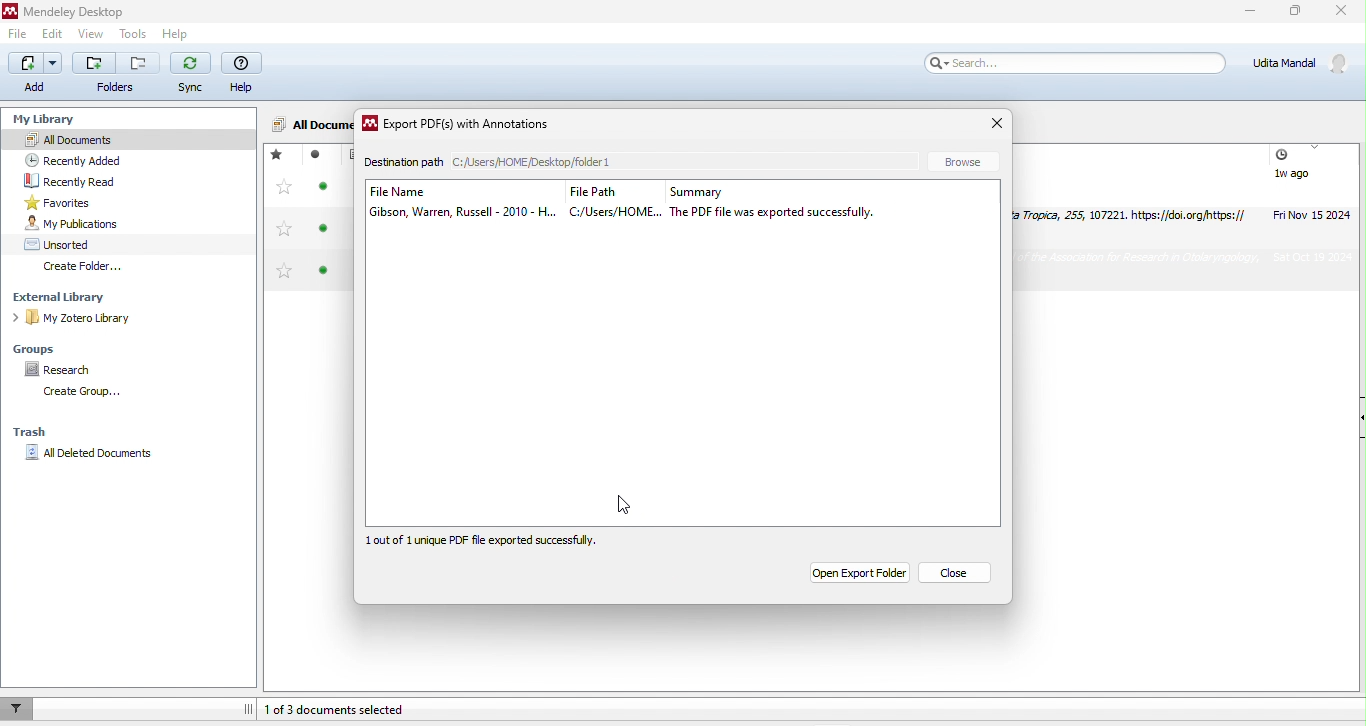 The width and height of the screenshot is (1366, 726). I want to click on trash, so click(35, 434).